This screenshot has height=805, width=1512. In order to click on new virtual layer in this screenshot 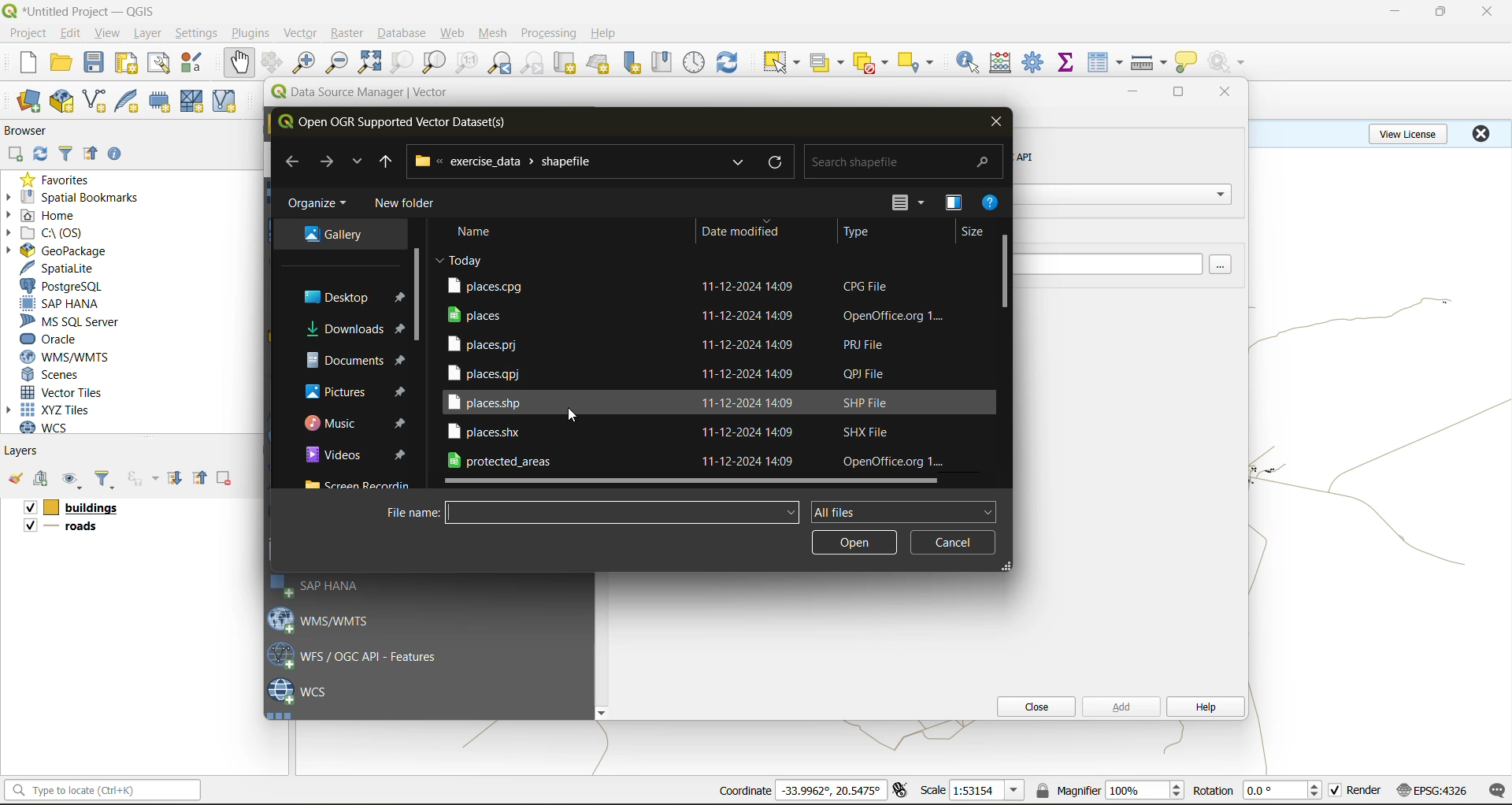, I will do `click(227, 102)`.